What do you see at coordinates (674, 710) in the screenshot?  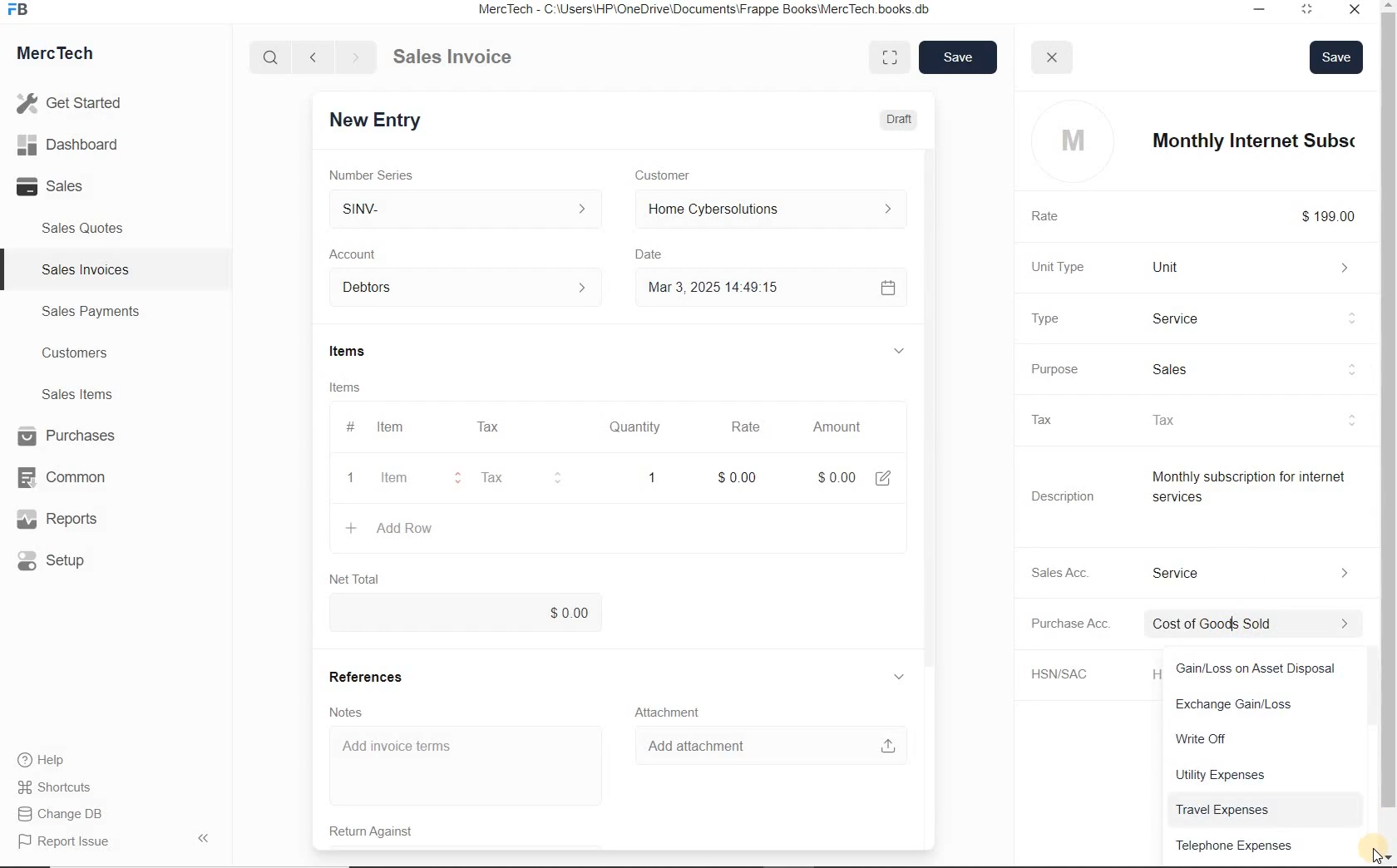 I see `Attachment` at bounding box center [674, 710].